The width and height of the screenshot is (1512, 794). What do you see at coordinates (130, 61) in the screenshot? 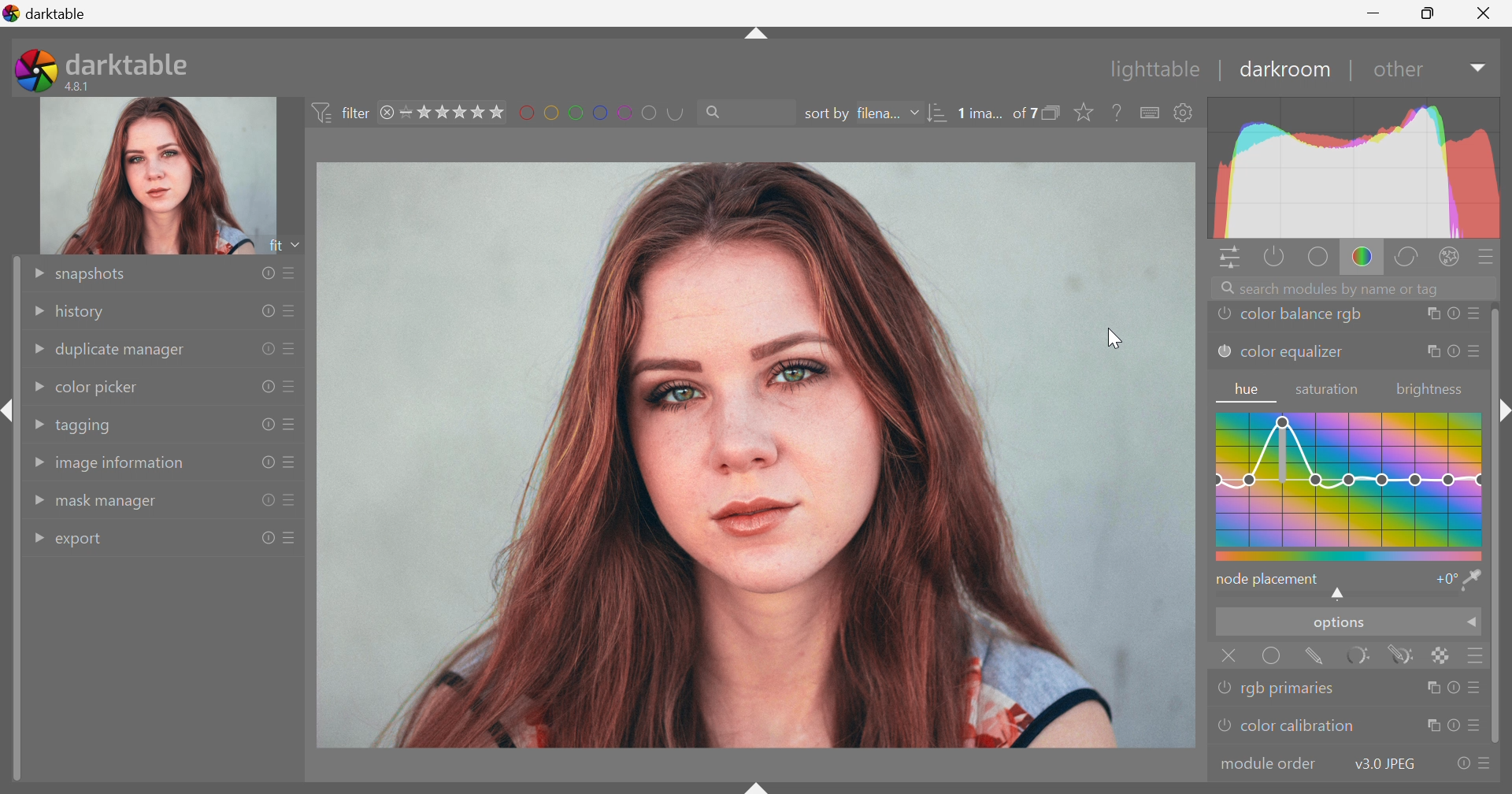
I see `darktable` at bounding box center [130, 61].